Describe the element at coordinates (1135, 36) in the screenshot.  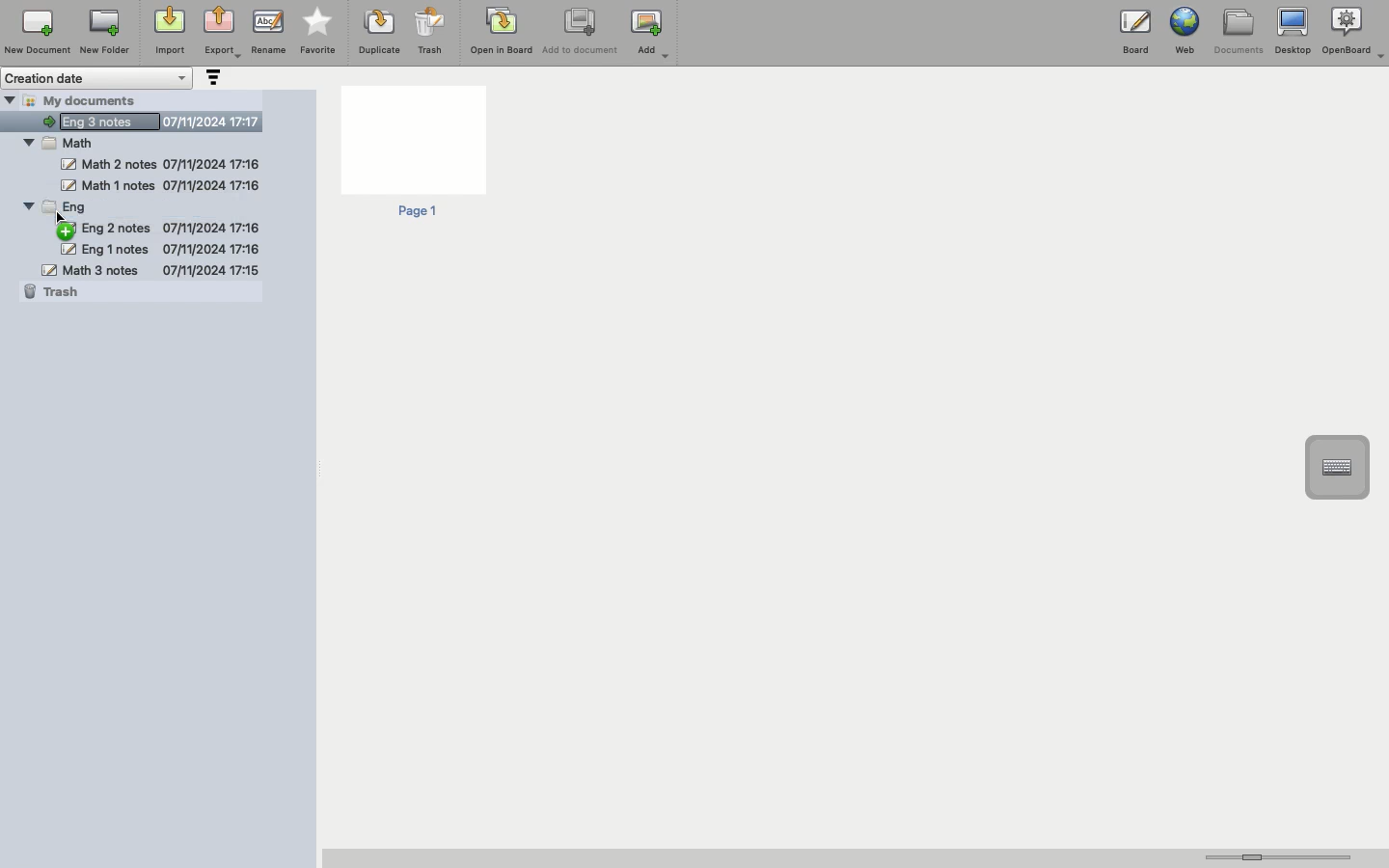
I see `Board` at that location.